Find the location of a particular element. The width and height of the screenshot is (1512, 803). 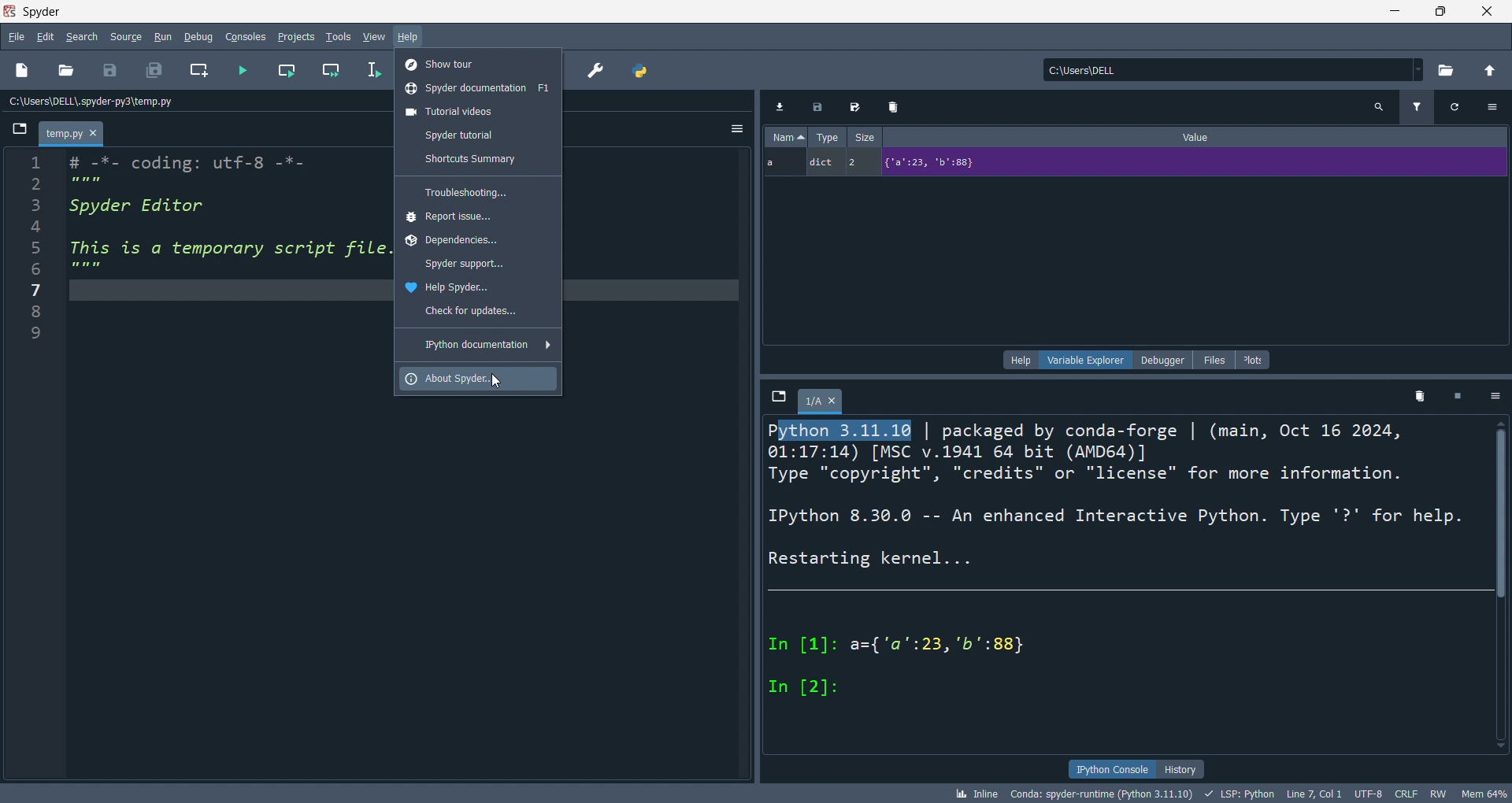

troubleshooting is located at coordinates (479, 191).